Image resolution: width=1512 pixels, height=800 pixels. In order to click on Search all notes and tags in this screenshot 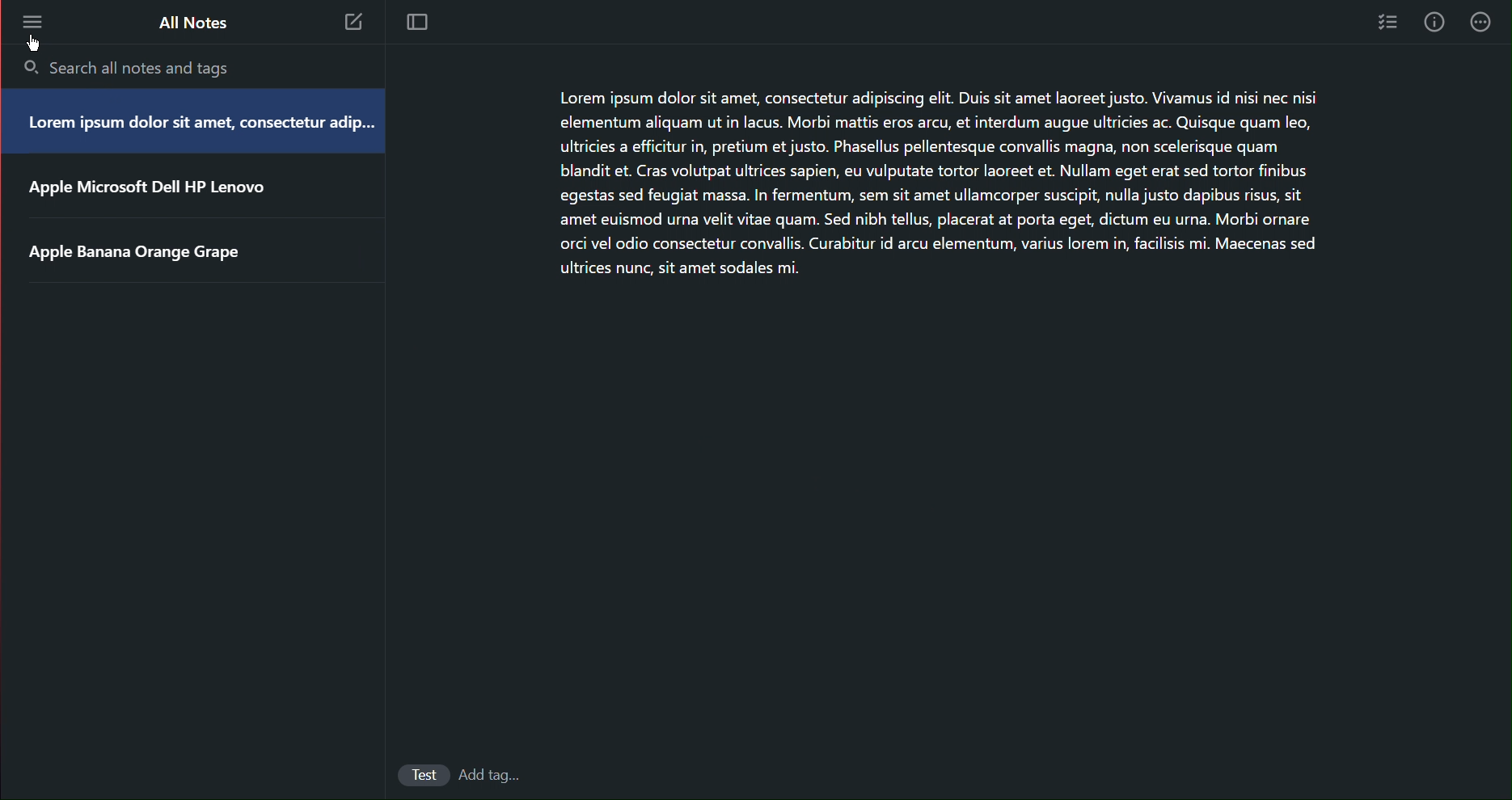, I will do `click(153, 64)`.